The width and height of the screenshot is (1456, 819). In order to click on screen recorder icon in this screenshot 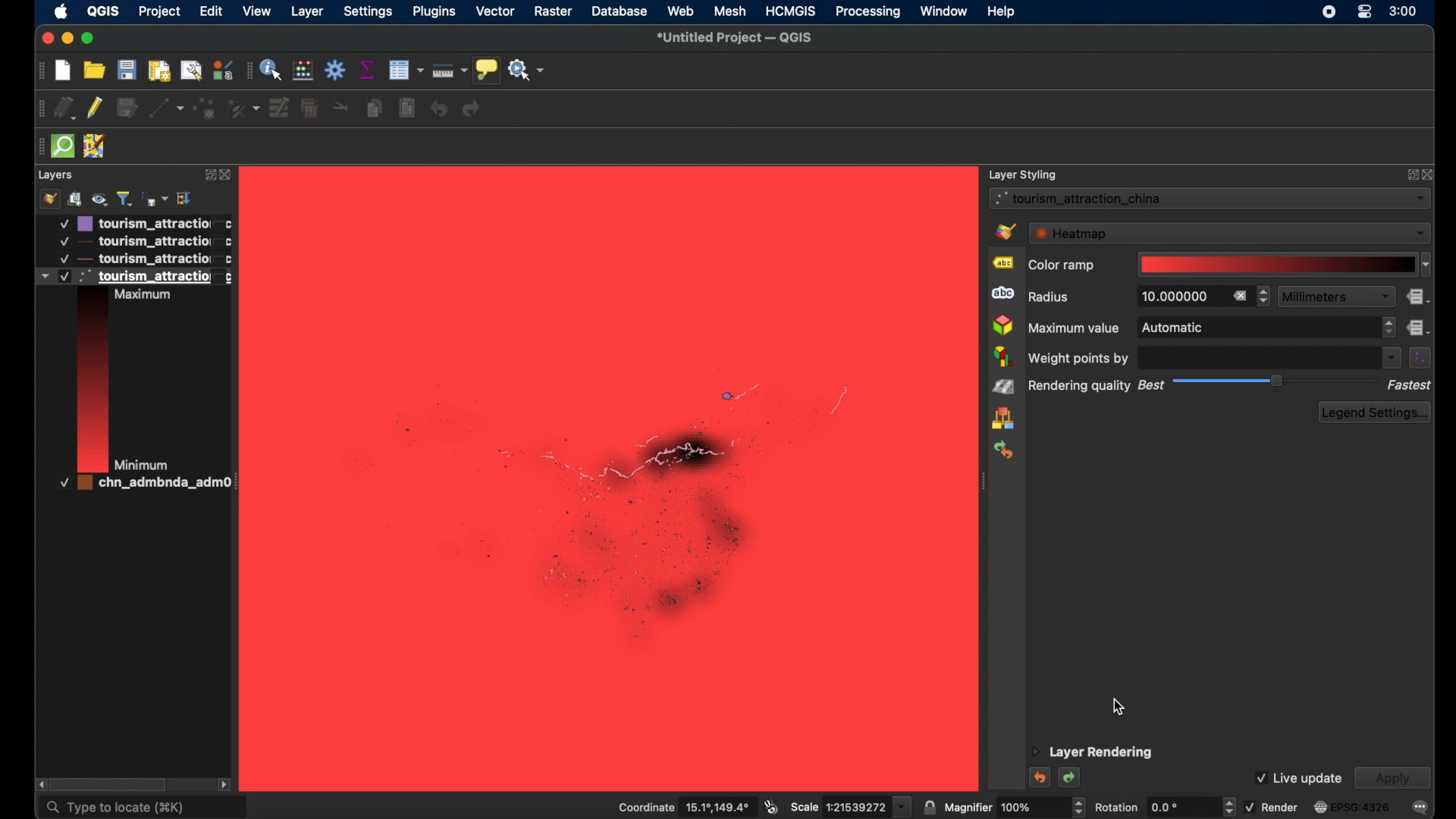, I will do `click(1329, 14)`.